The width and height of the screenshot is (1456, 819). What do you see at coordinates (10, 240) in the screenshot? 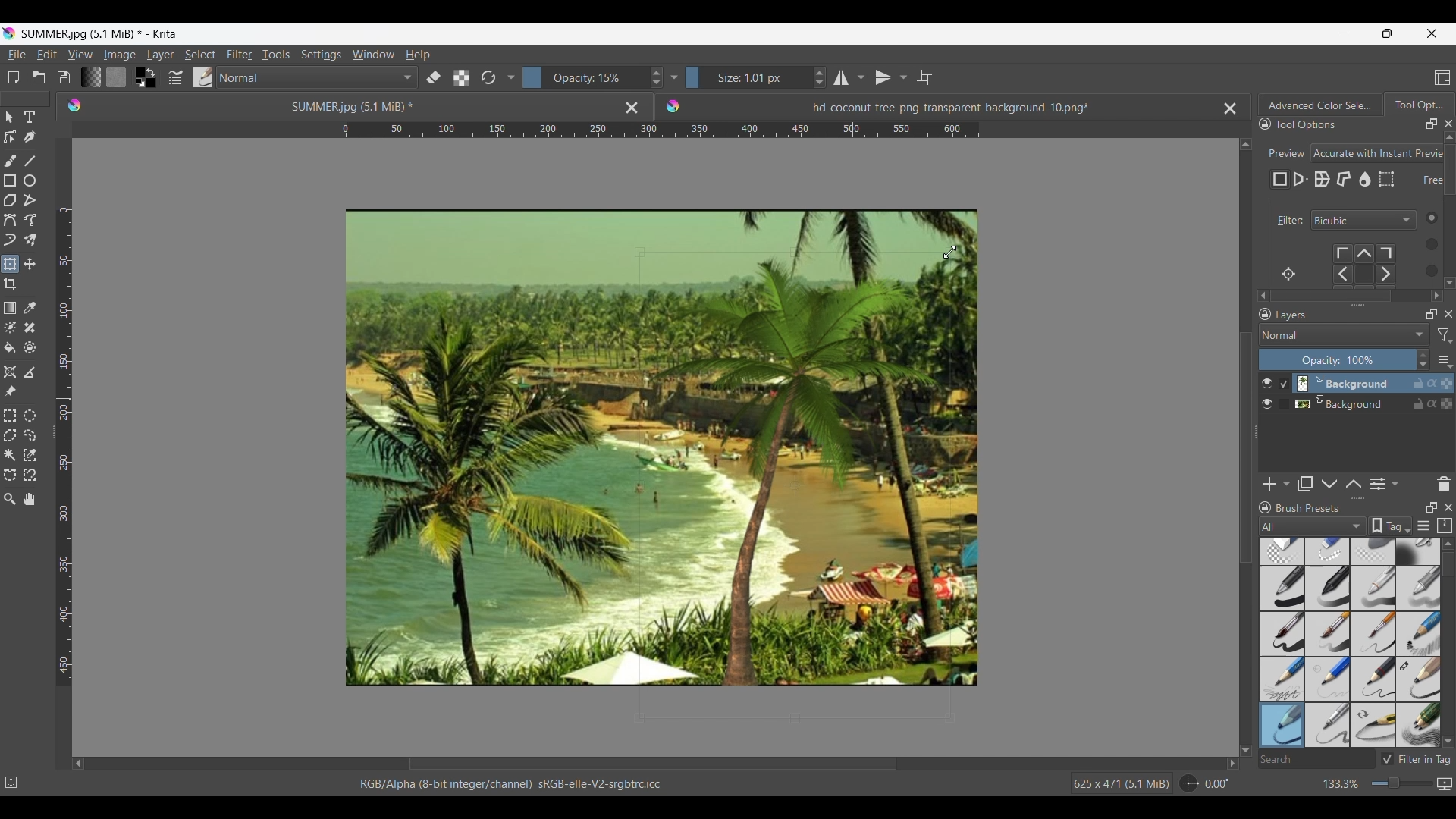
I see `Dynamic brush tool` at bounding box center [10, 240].